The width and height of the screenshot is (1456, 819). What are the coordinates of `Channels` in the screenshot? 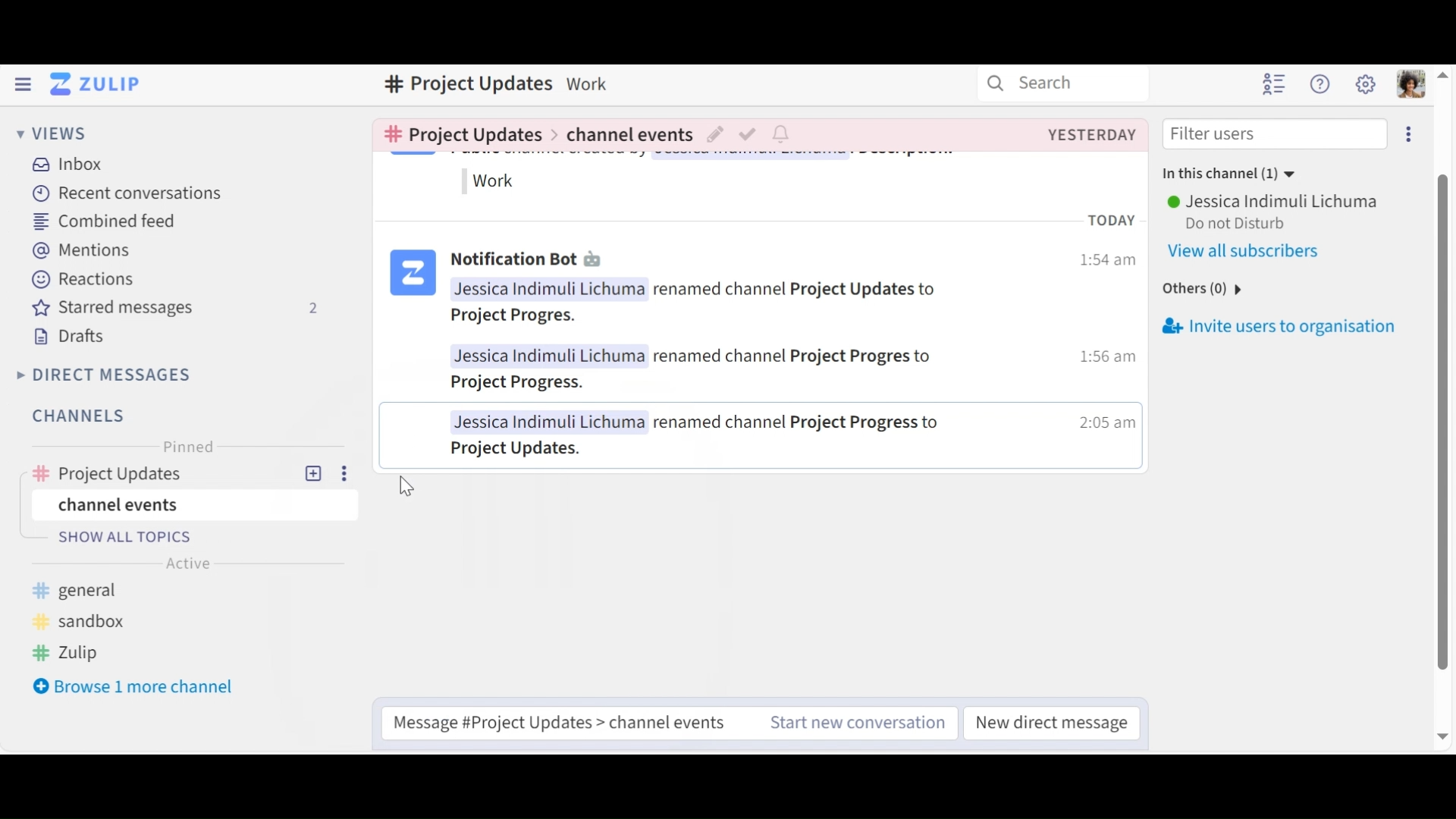 It's located at (84, 418).